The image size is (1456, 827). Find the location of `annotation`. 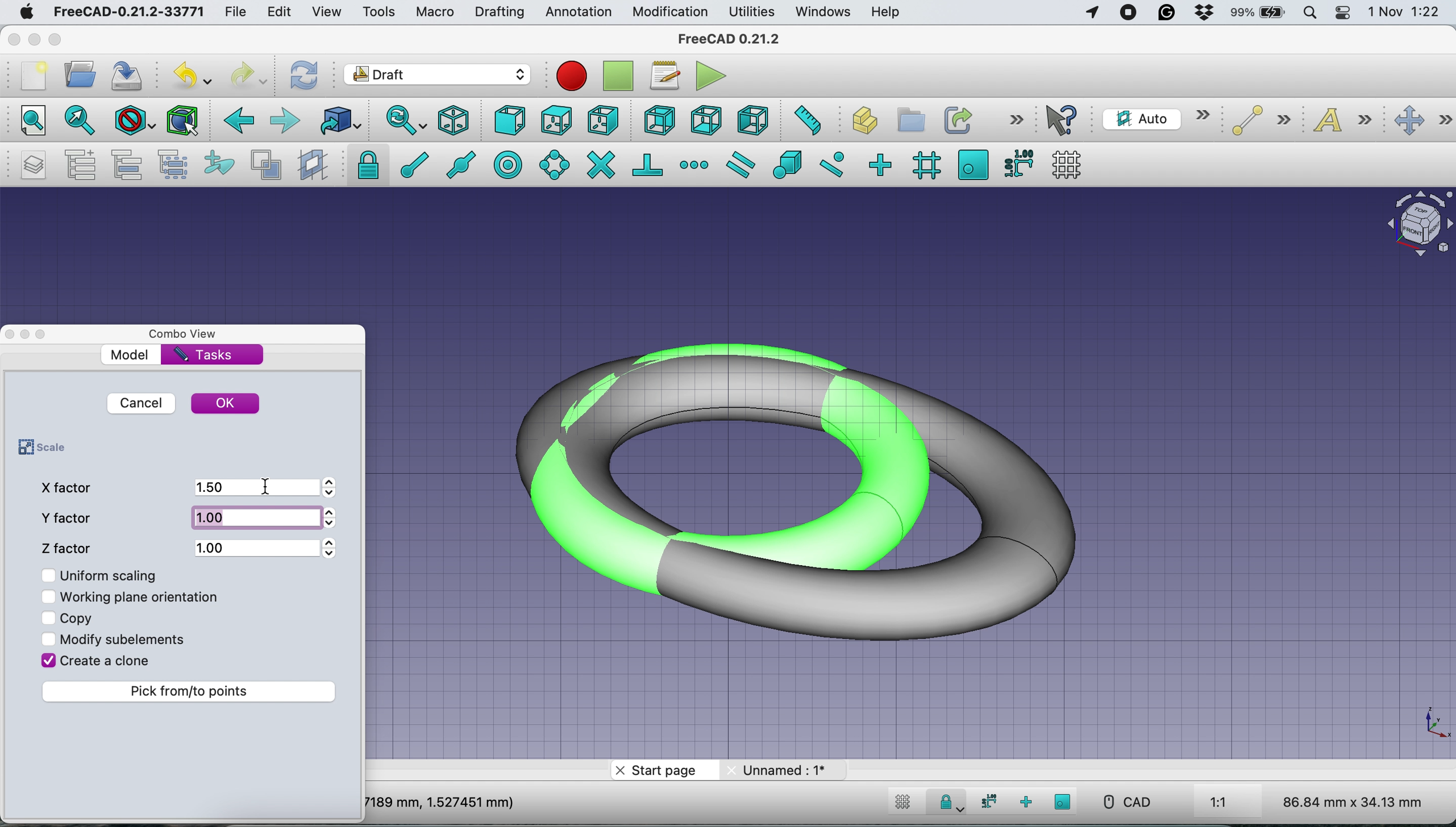

annotation is located at coordinates (578, 12).